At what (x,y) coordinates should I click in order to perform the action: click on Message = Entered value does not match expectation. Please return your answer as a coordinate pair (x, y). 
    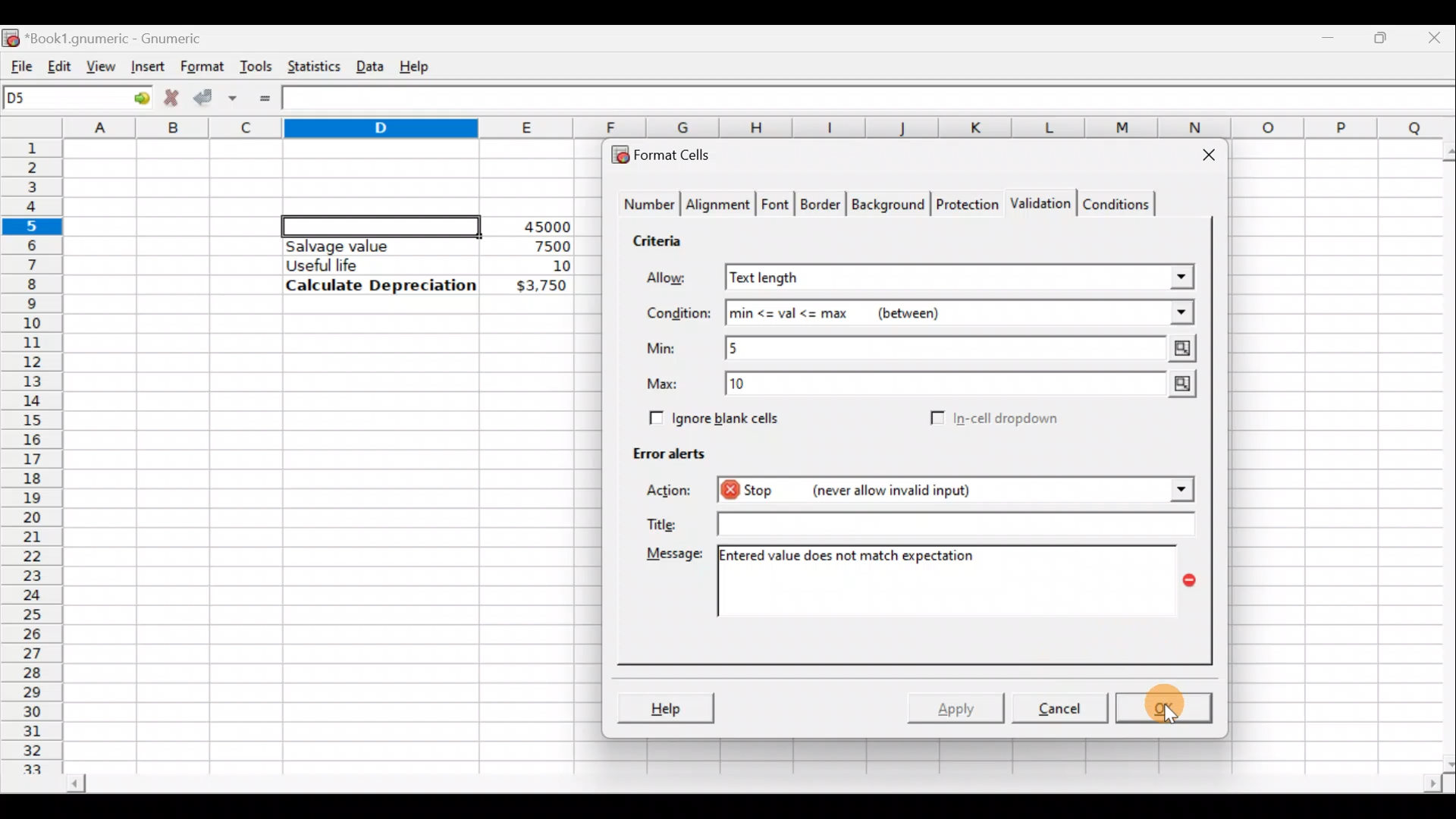
    Looking at the image, I should click on (959, 581).